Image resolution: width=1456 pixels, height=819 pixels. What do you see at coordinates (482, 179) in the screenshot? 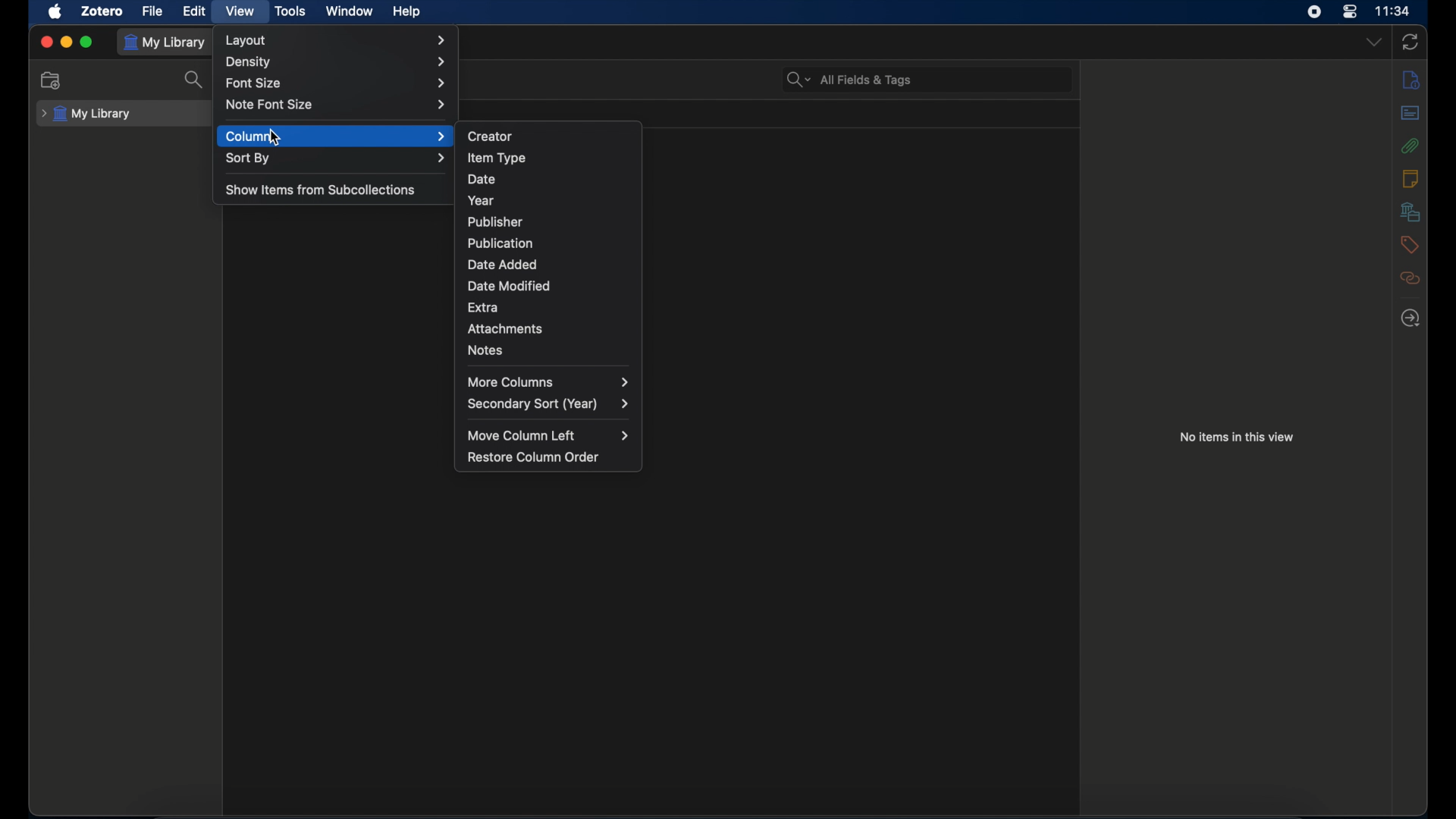
I see `date` at bounding box center [482, 179].